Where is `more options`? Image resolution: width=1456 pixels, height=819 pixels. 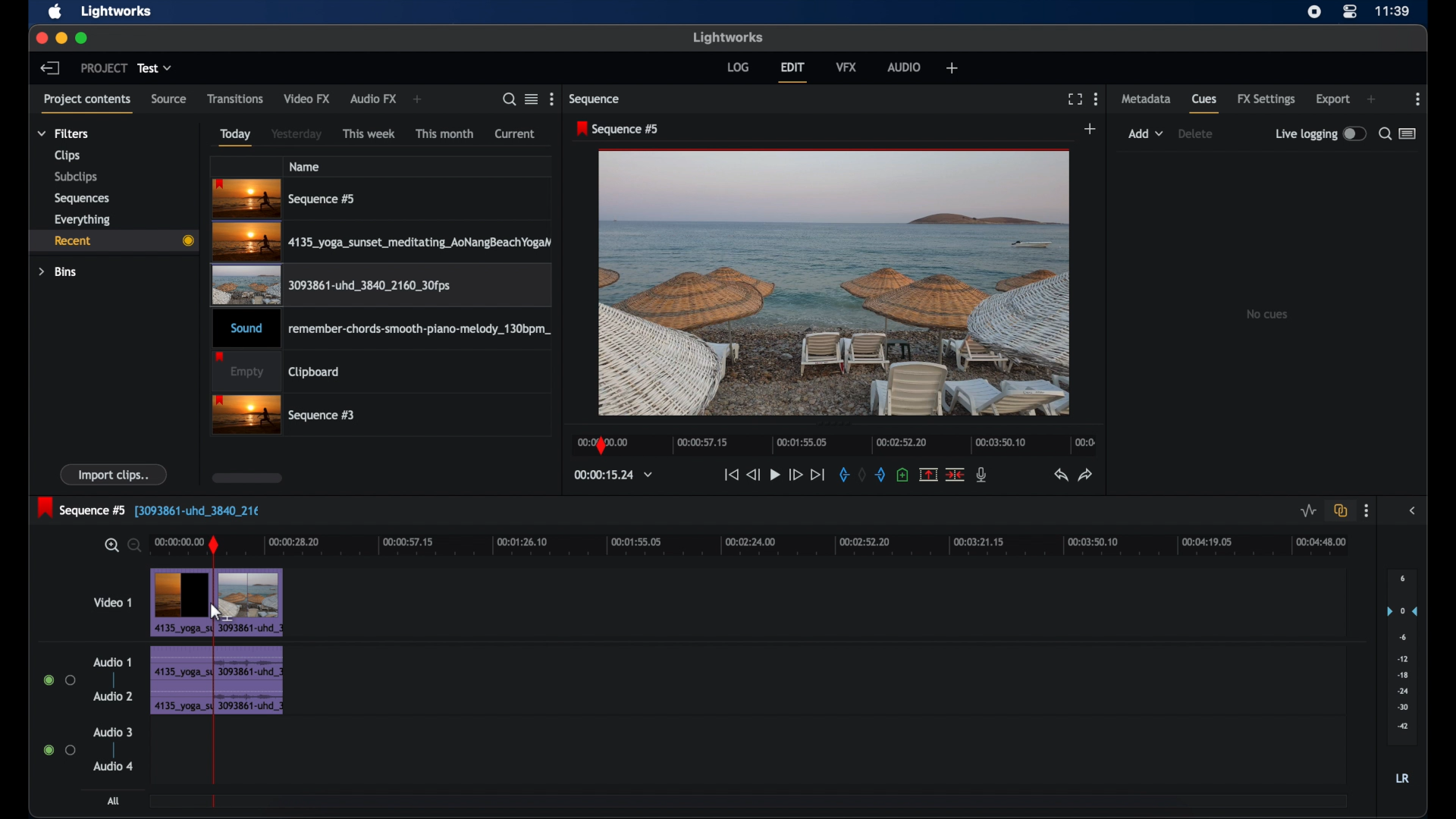 more options is located at coordinates (1367, 512).